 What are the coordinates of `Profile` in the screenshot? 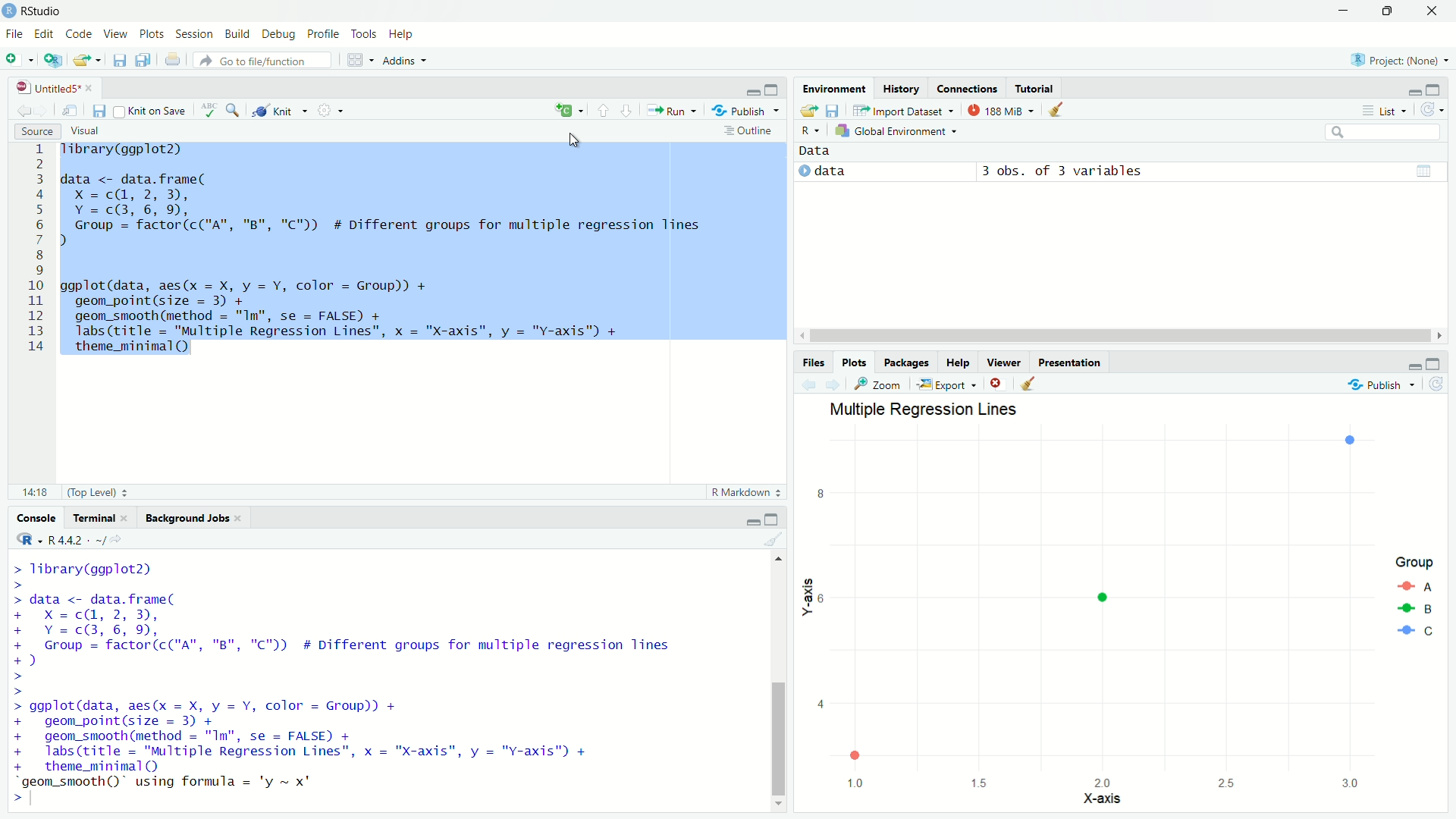 It's located at (323, 35).